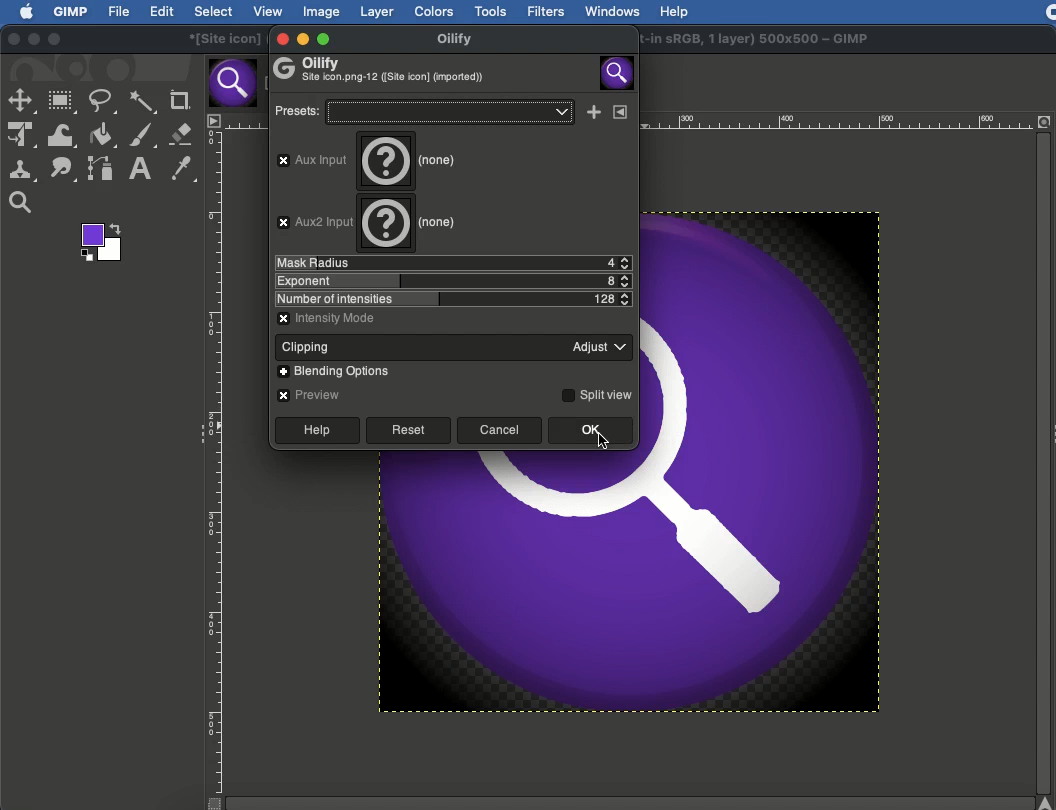 This screenshot has height=810, width=1056. I want to click on Maximize, so click(53, 40).